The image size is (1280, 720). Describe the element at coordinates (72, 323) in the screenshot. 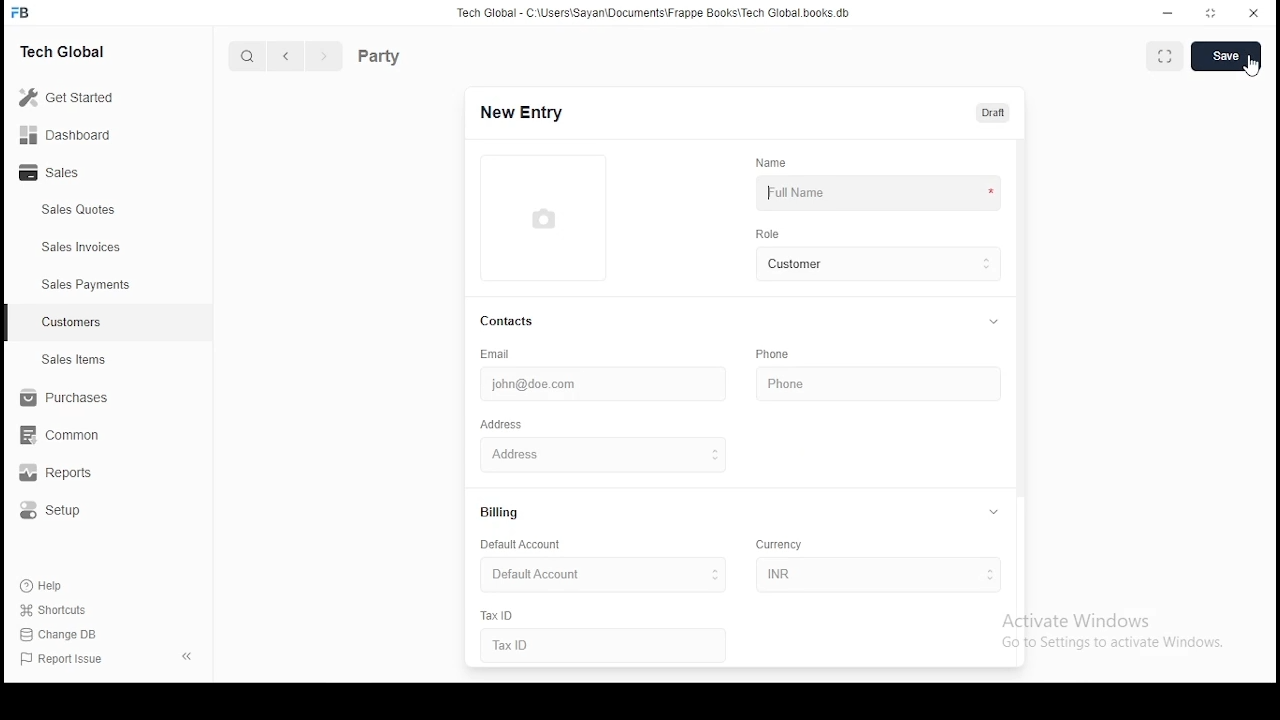

I see `customers` at that location.